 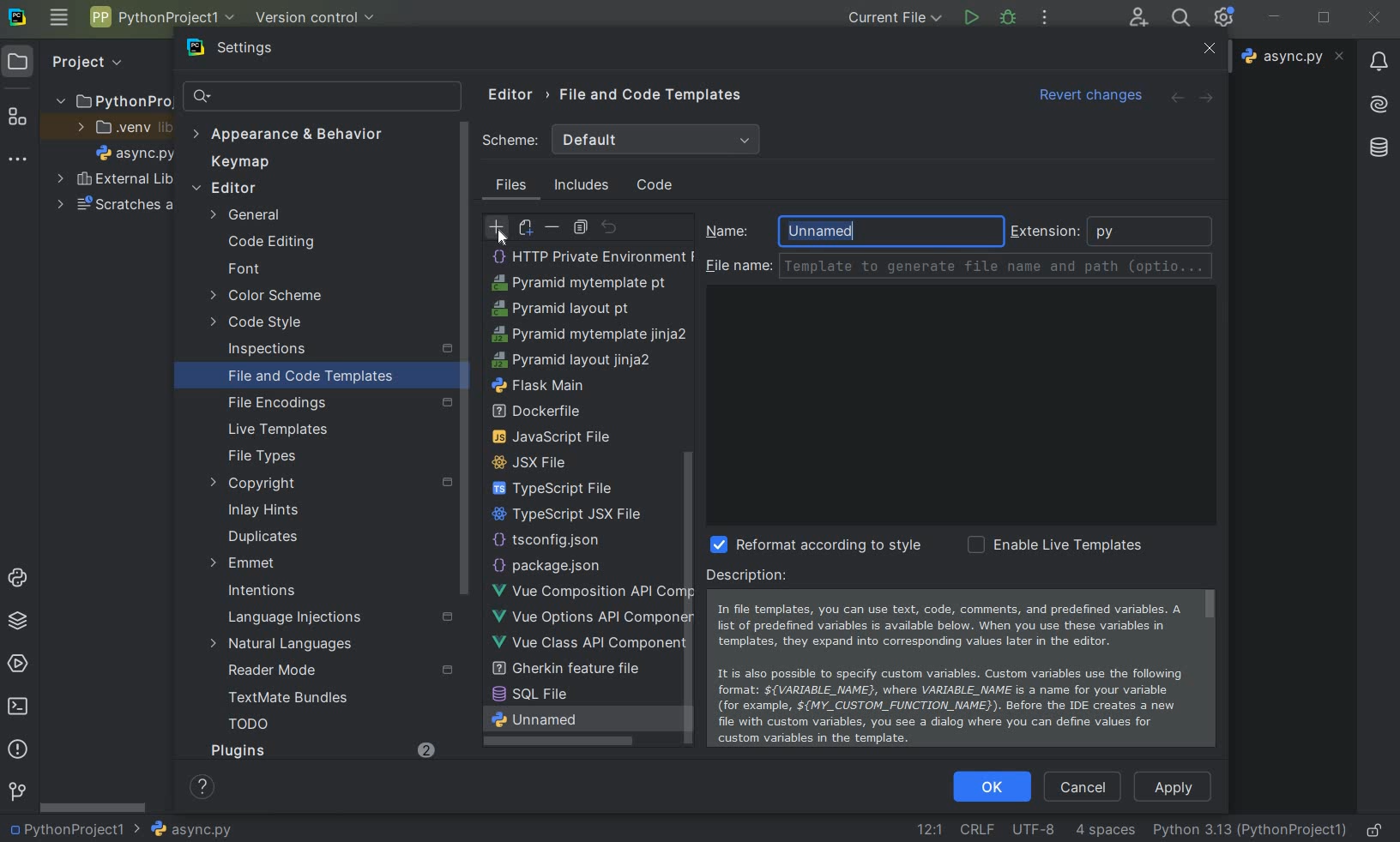 I want to click on file name, so click(x=1294, y=57).